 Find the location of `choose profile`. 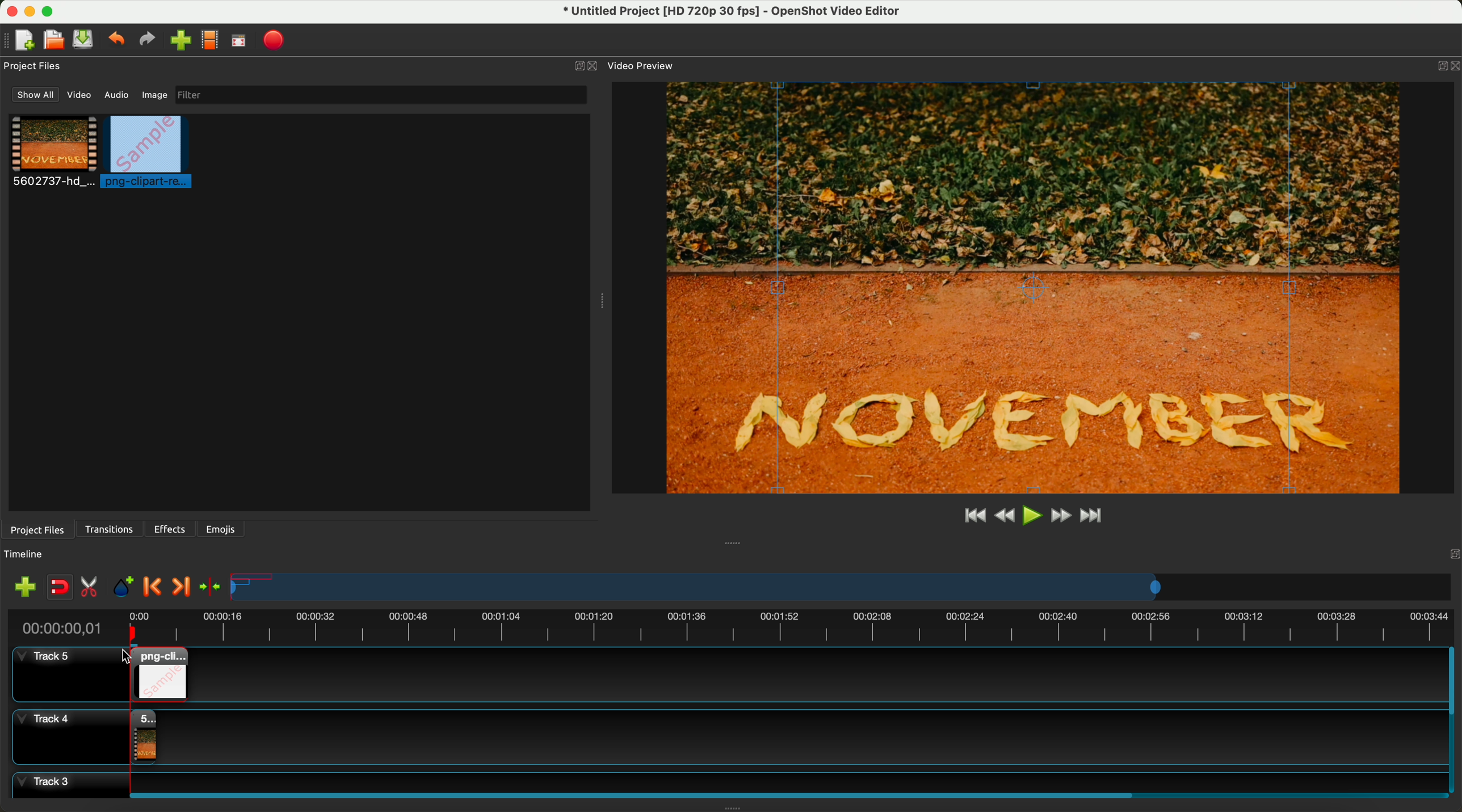

choose profile is located at coordinates (213, 42).